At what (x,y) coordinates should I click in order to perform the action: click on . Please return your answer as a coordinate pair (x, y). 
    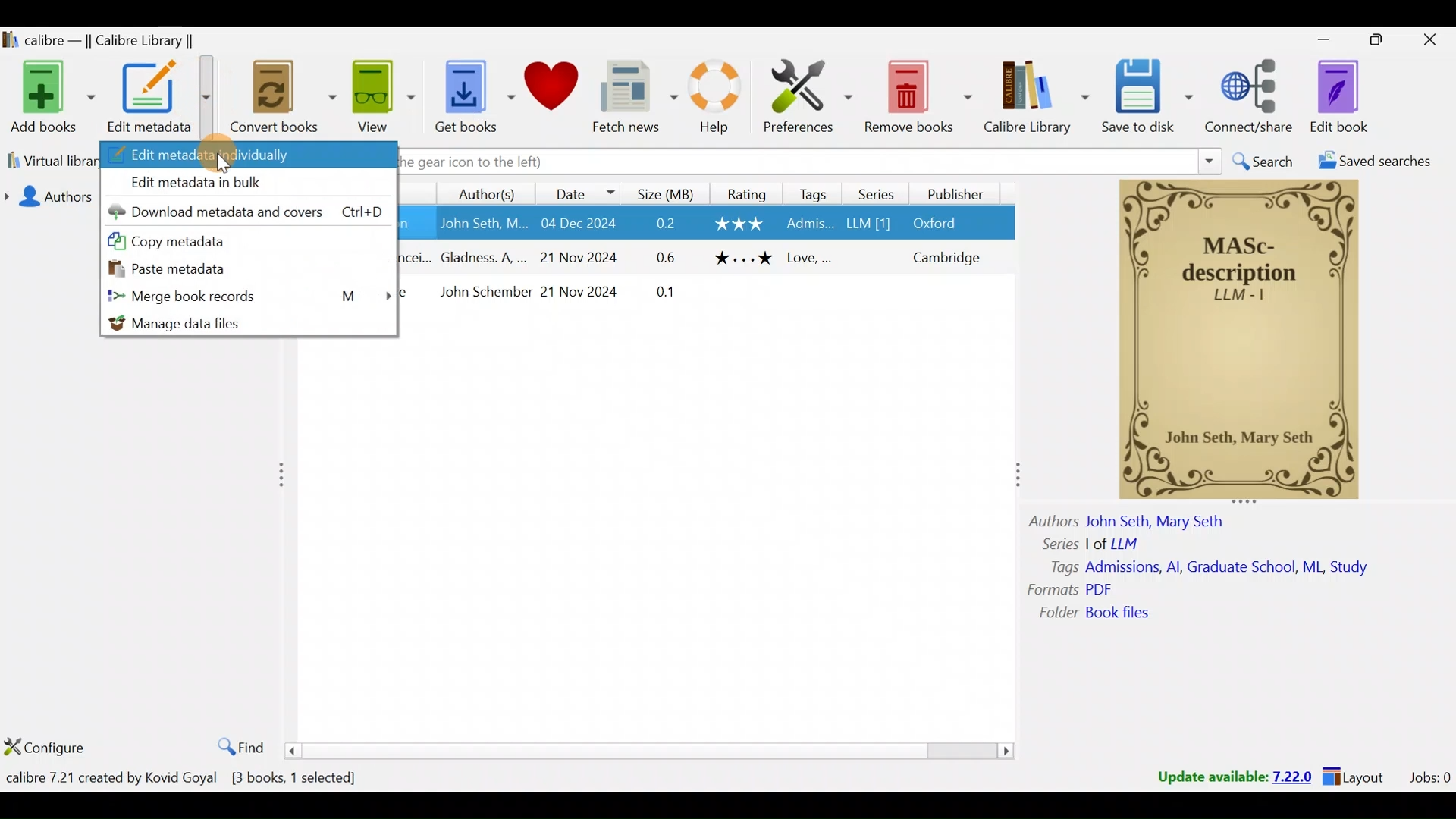
    Looking at the image, I should click on (666, 293).